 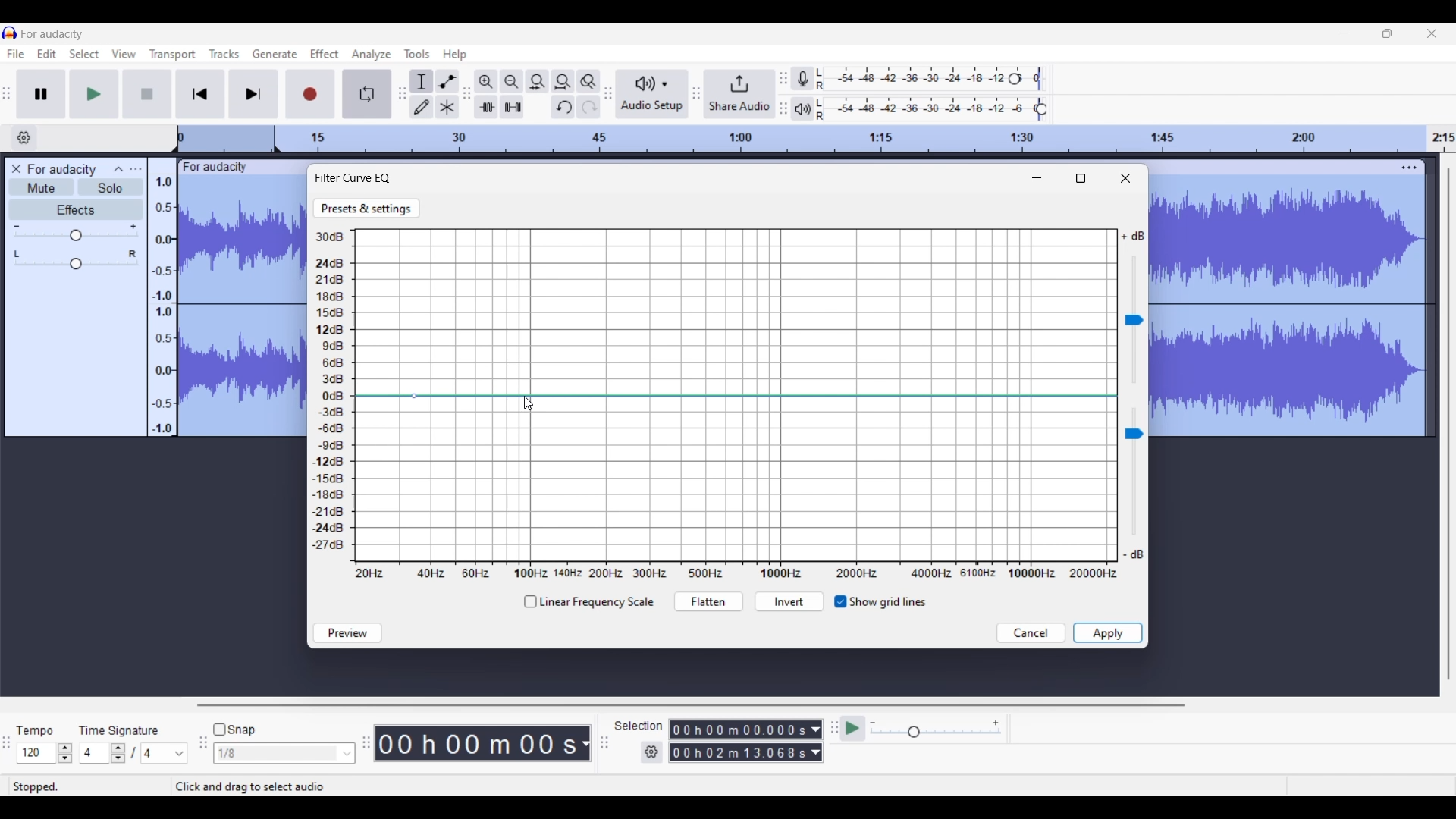 I want to click on Change gain, so click(x=76, y=236).